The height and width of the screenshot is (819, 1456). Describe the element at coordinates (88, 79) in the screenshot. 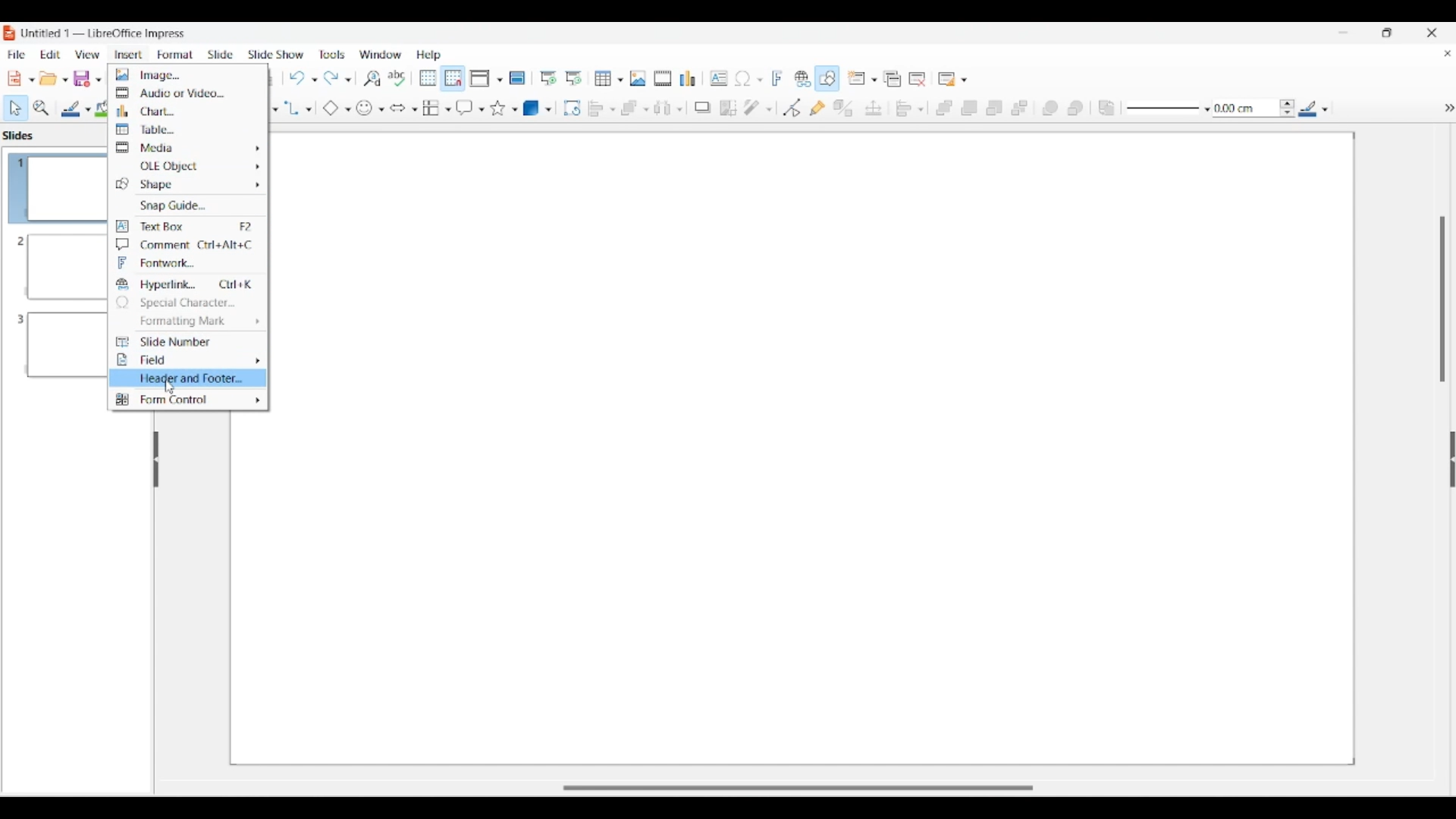

I see `Save options` at that location.